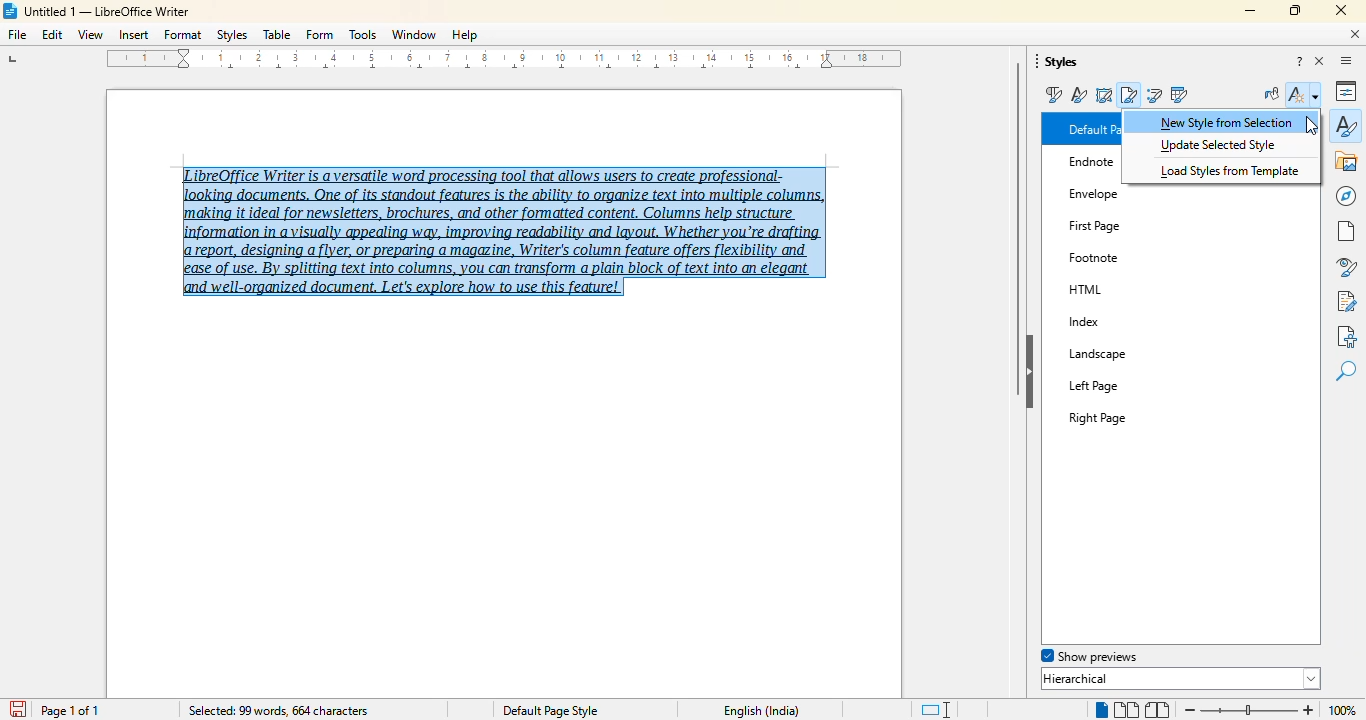  I want to click on zoom out, so click(1188, 709).